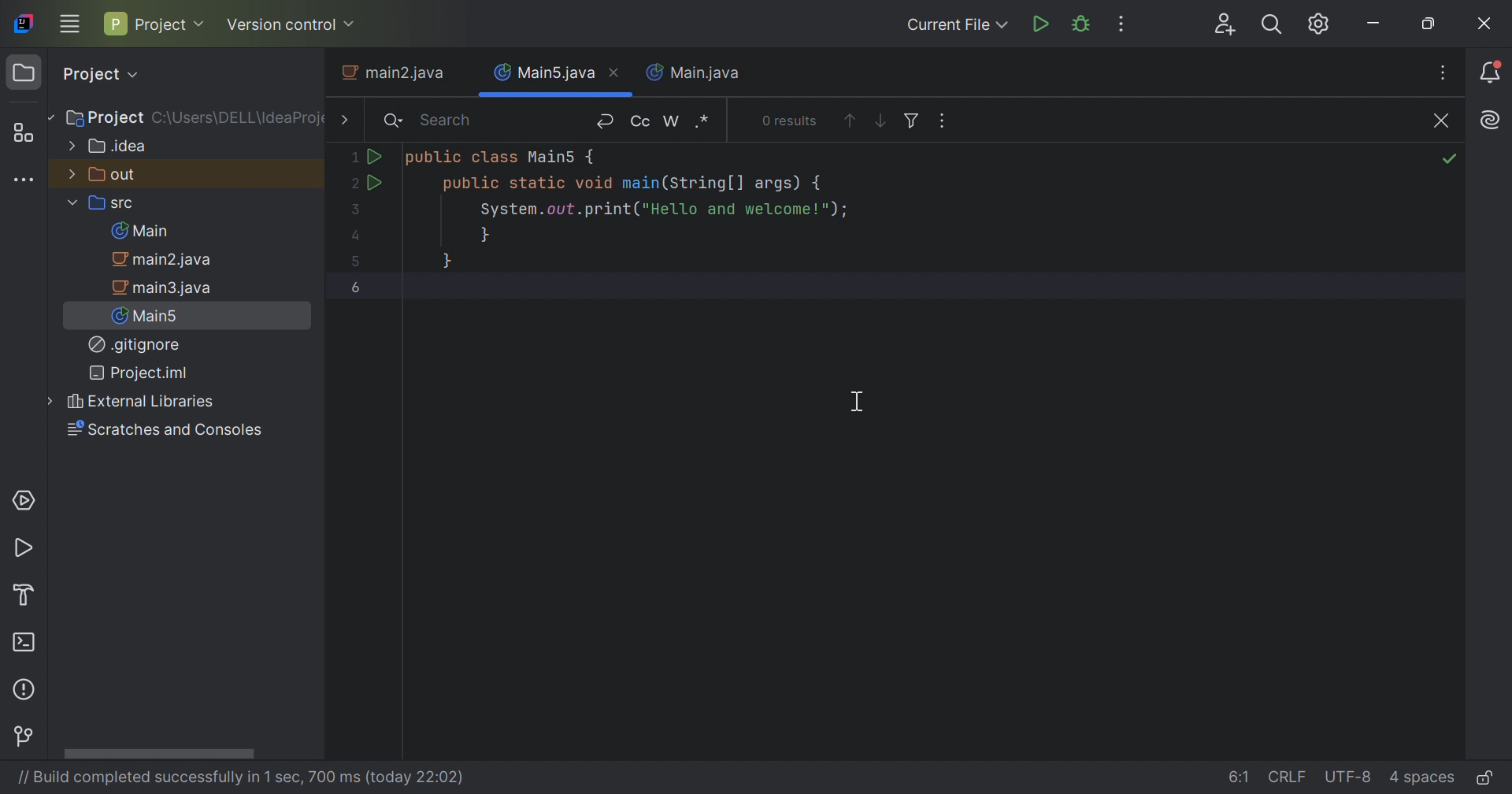  Describe the element at coordinates (103, 205) in the screenshot. I see `src` at that location.